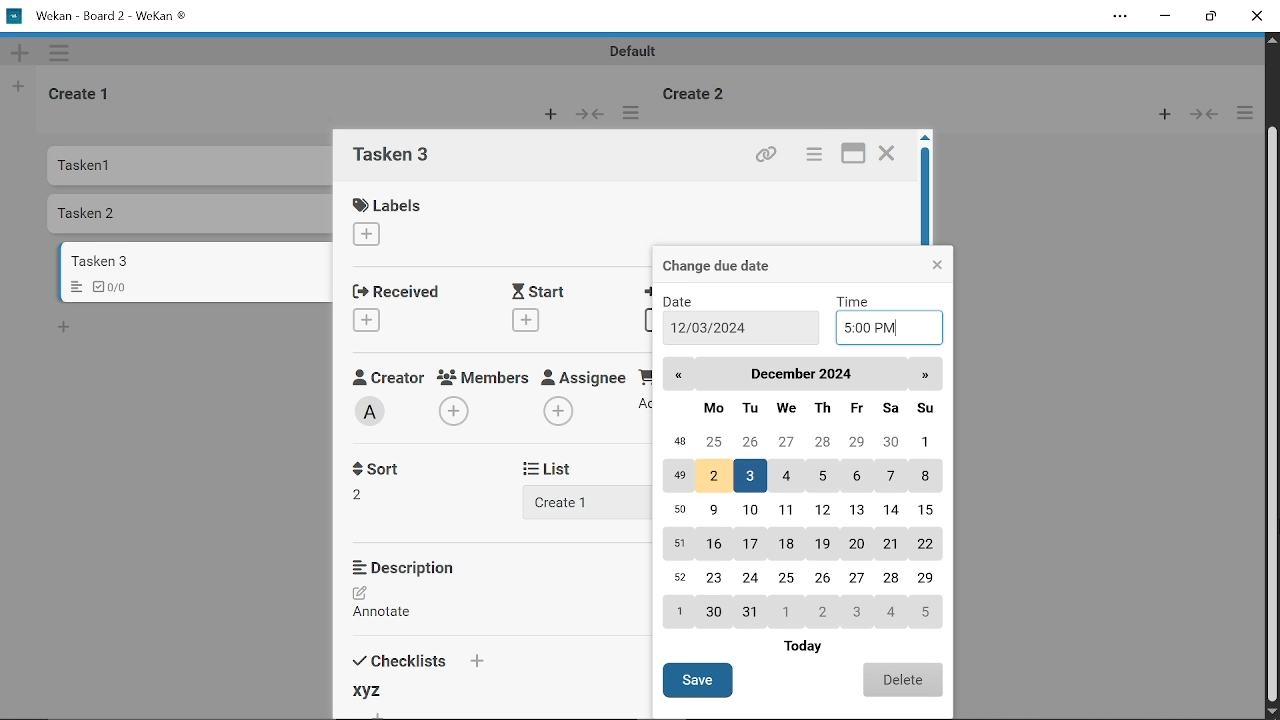  What do you see at coordinates (1258, 17) in the screenshot?
I see `Close` at bounding box center [1258, 17].